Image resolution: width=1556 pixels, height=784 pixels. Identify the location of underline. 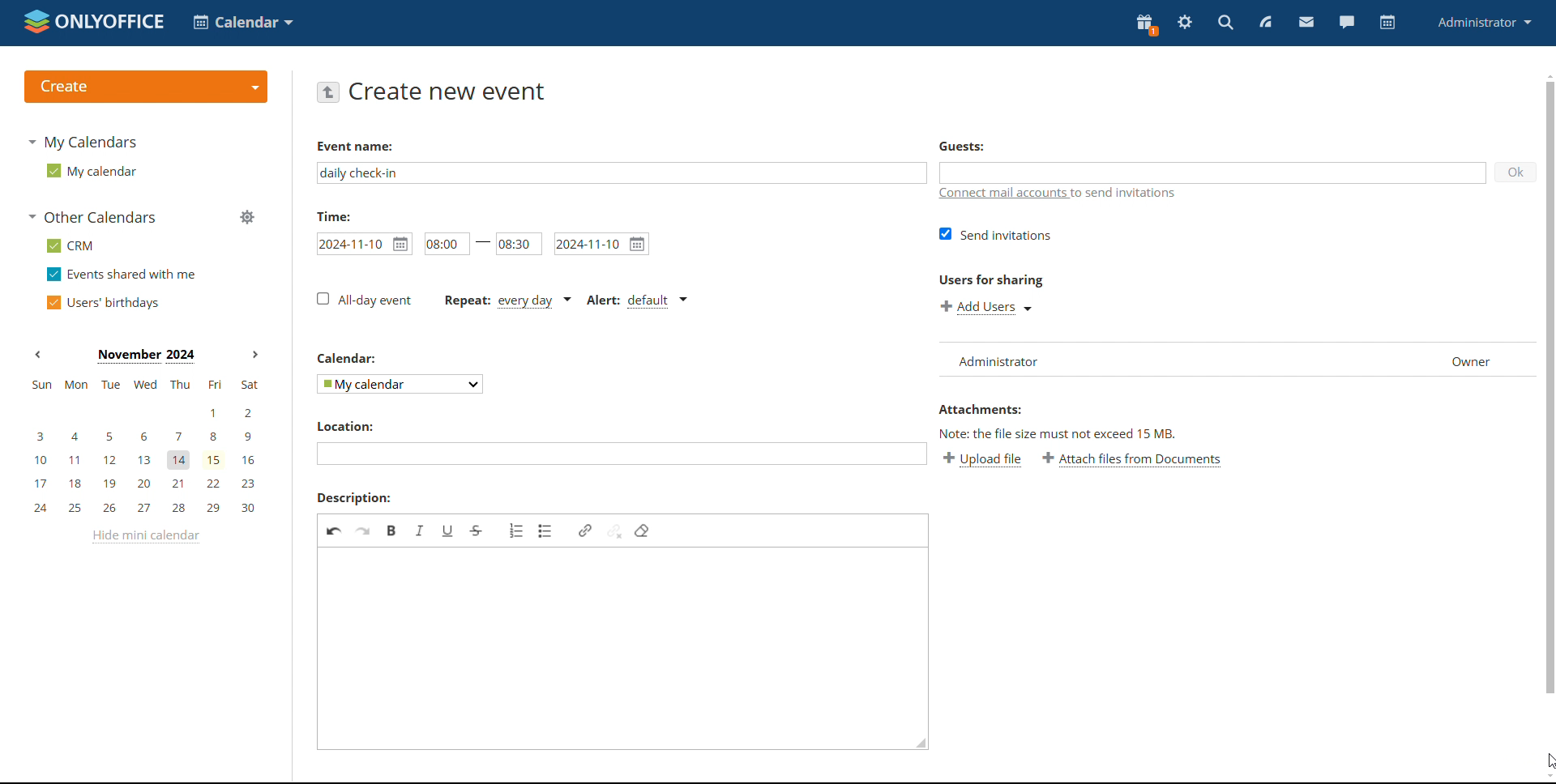
(448, 530).